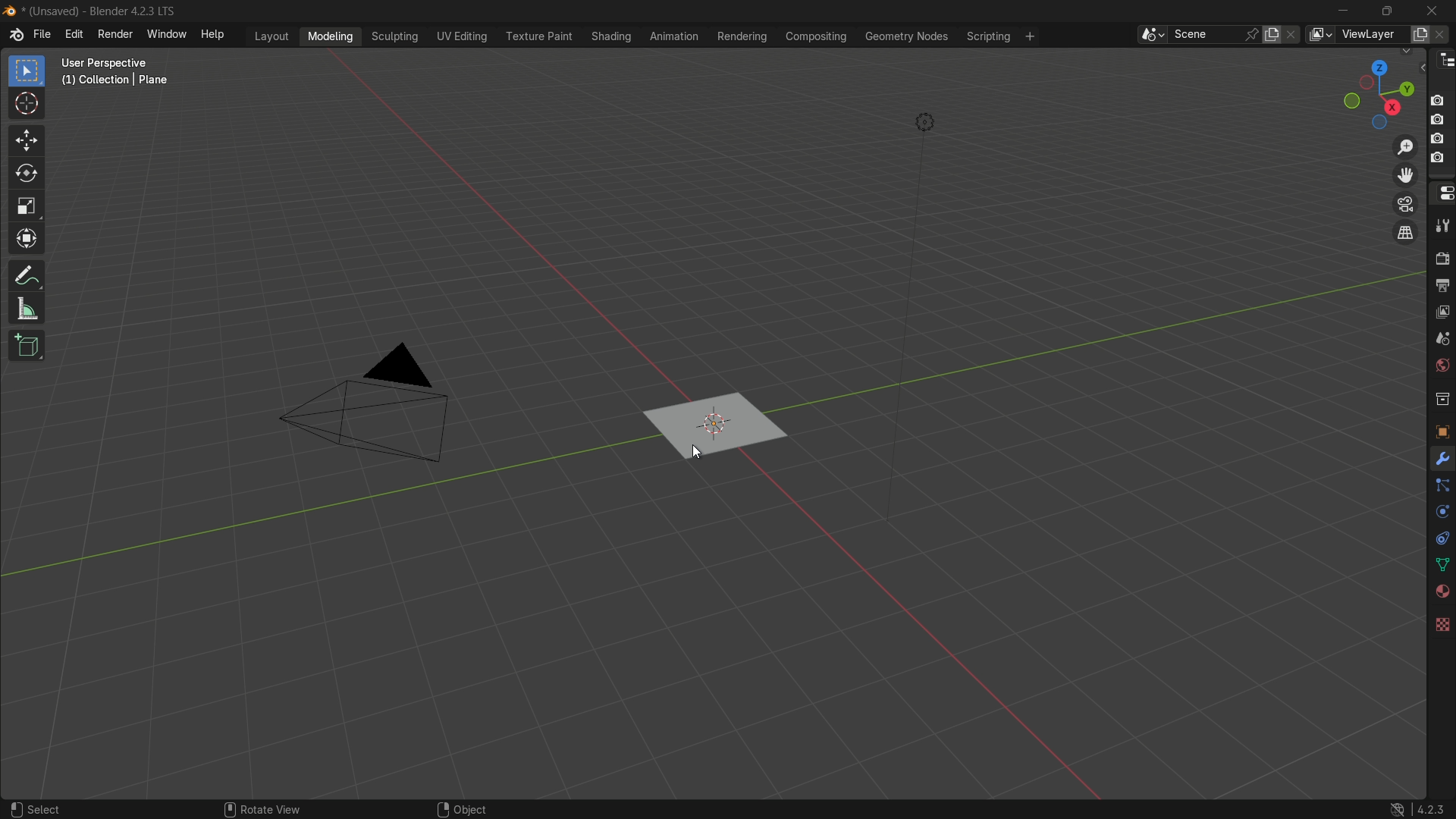 The image size is (1456, 819). What do you see at coordinates (368, 409) in the screenshot?
I see `camera` at bounding box center [368, 409].